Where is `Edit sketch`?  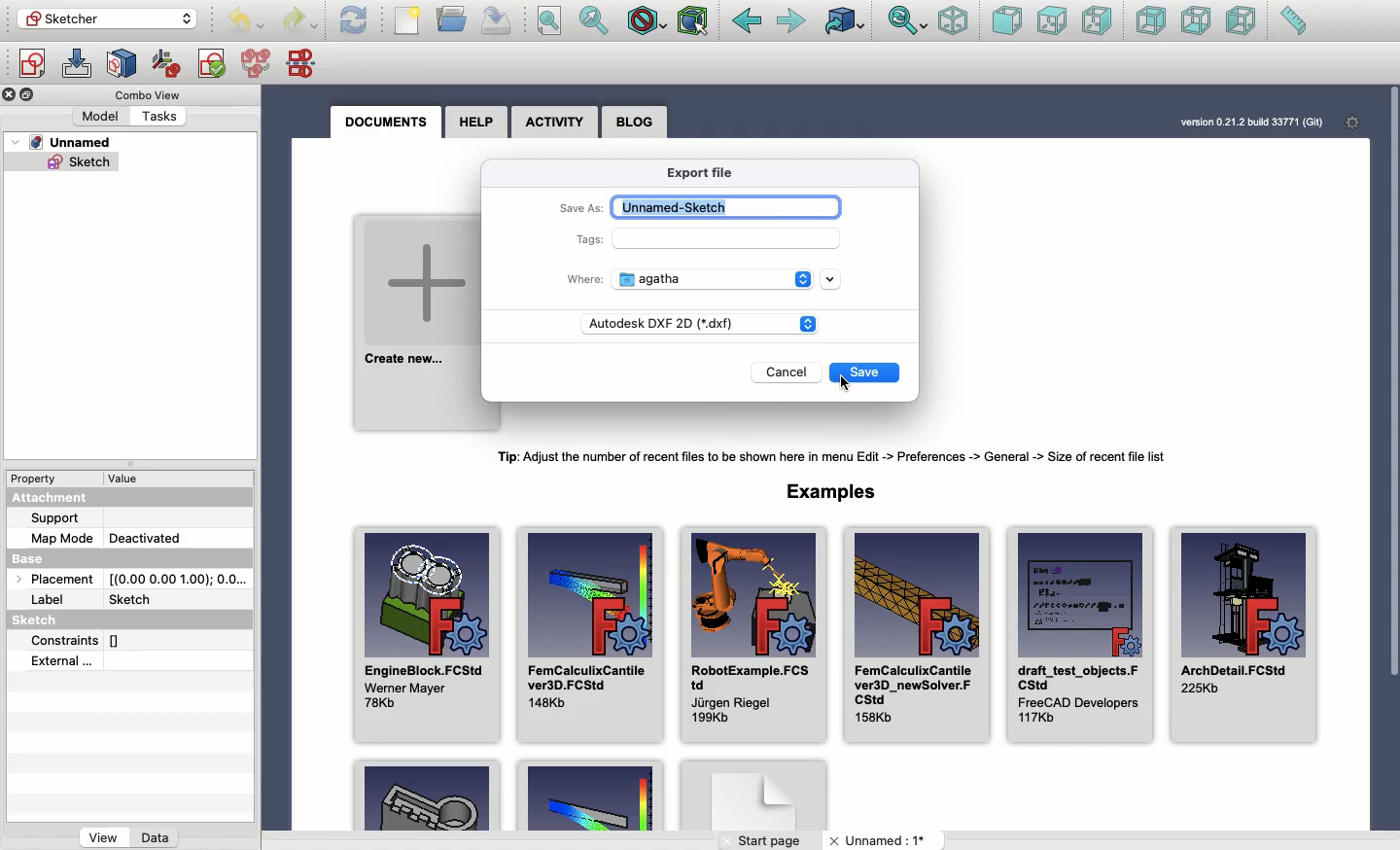 Edit sketch is located at coordinates (79, 65).